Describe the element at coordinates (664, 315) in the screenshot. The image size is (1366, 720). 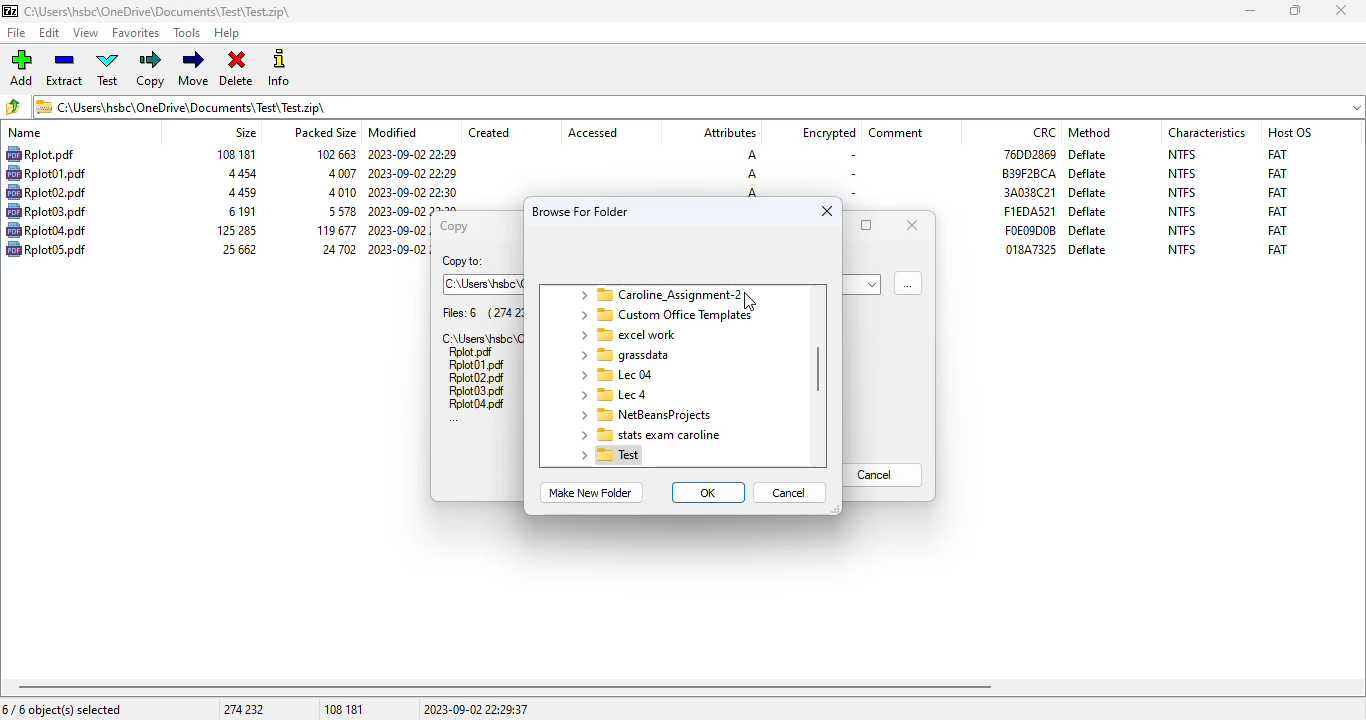
I see `folder name` at that location.